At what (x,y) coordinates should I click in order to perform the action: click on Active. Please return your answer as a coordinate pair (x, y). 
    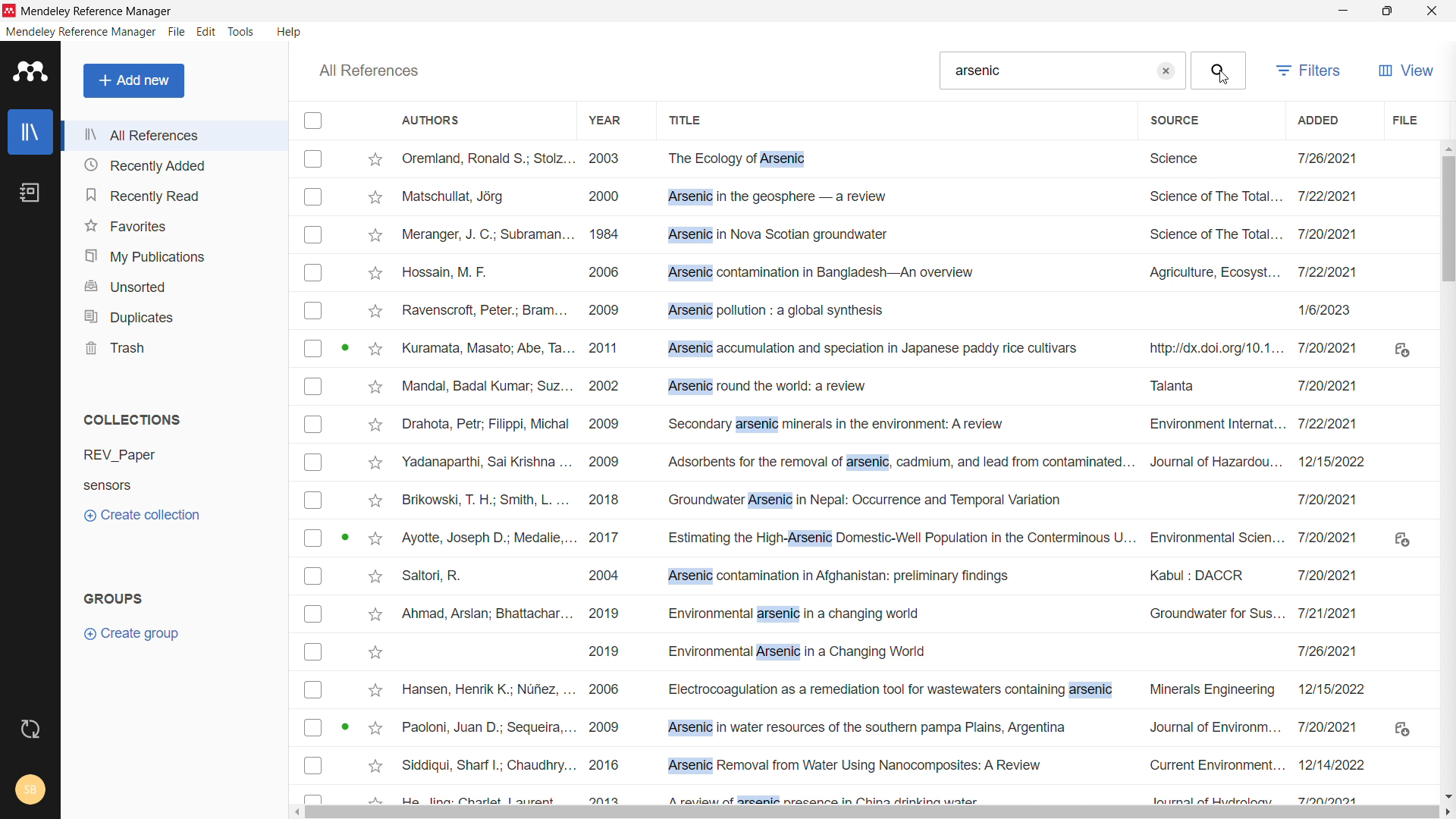
    Looking at the image, I should click on (350, 723).